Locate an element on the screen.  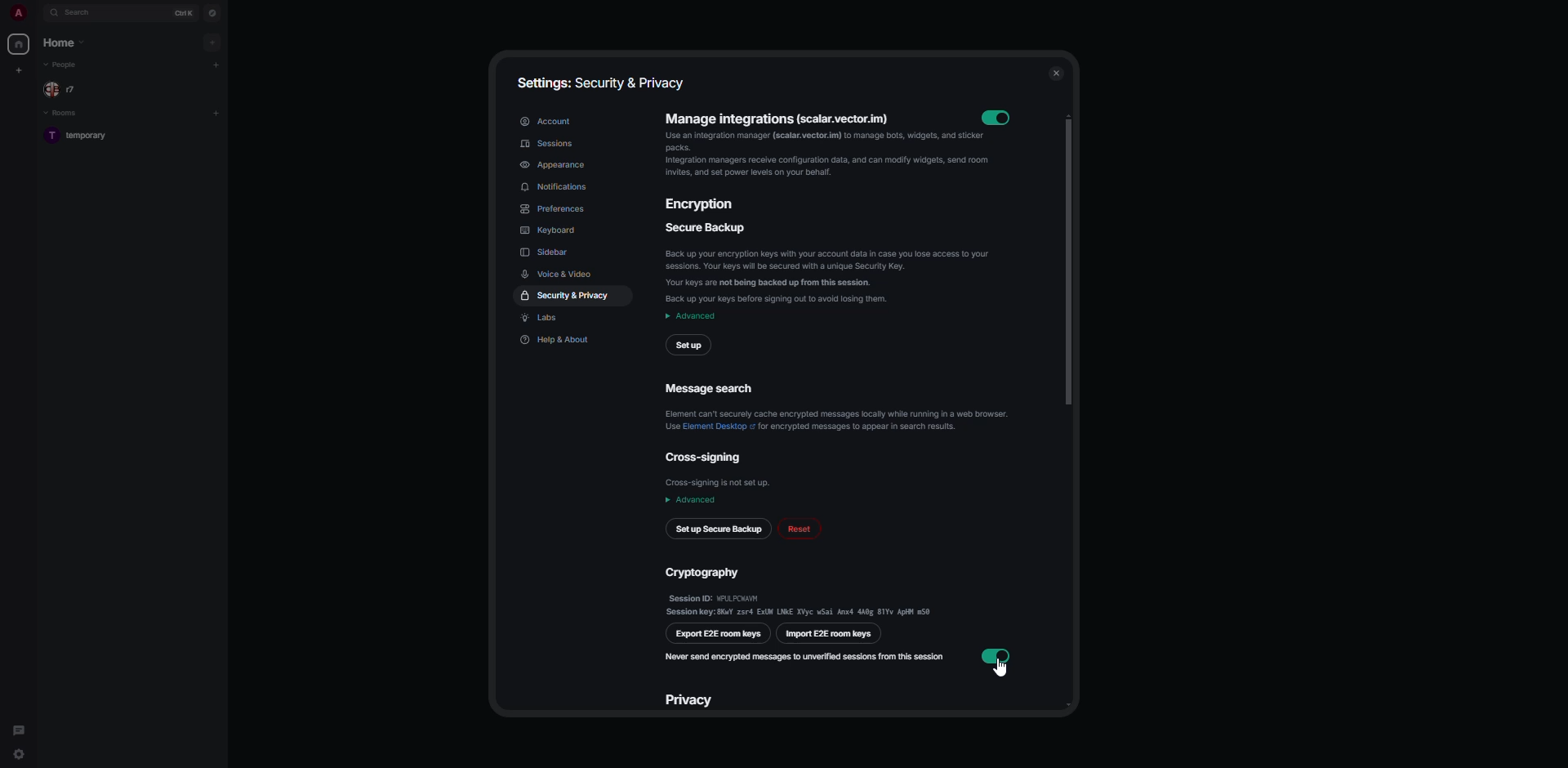
cursor is located at coordinates (1000, 671).